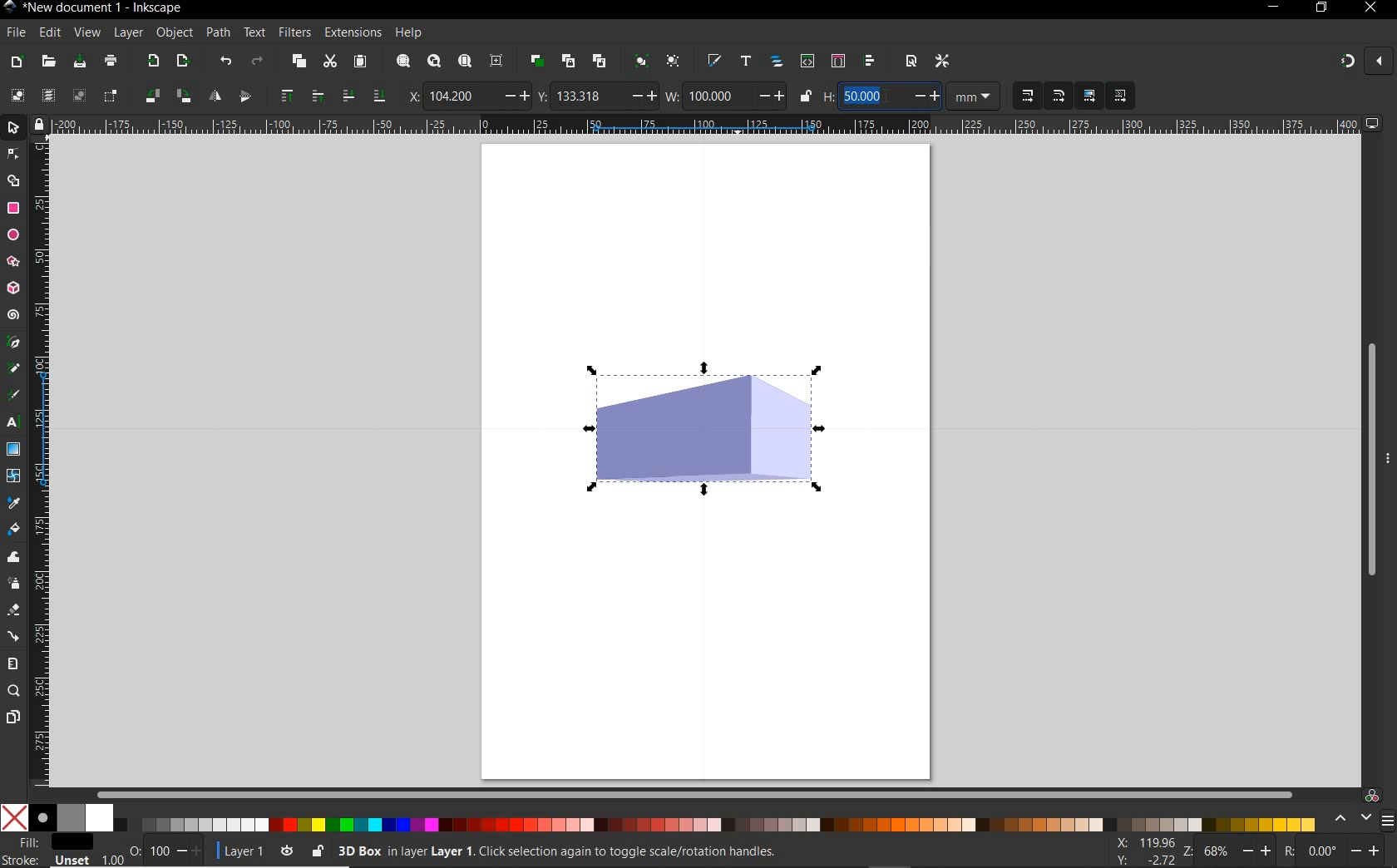  I want to click on edit, so click(48, 33).